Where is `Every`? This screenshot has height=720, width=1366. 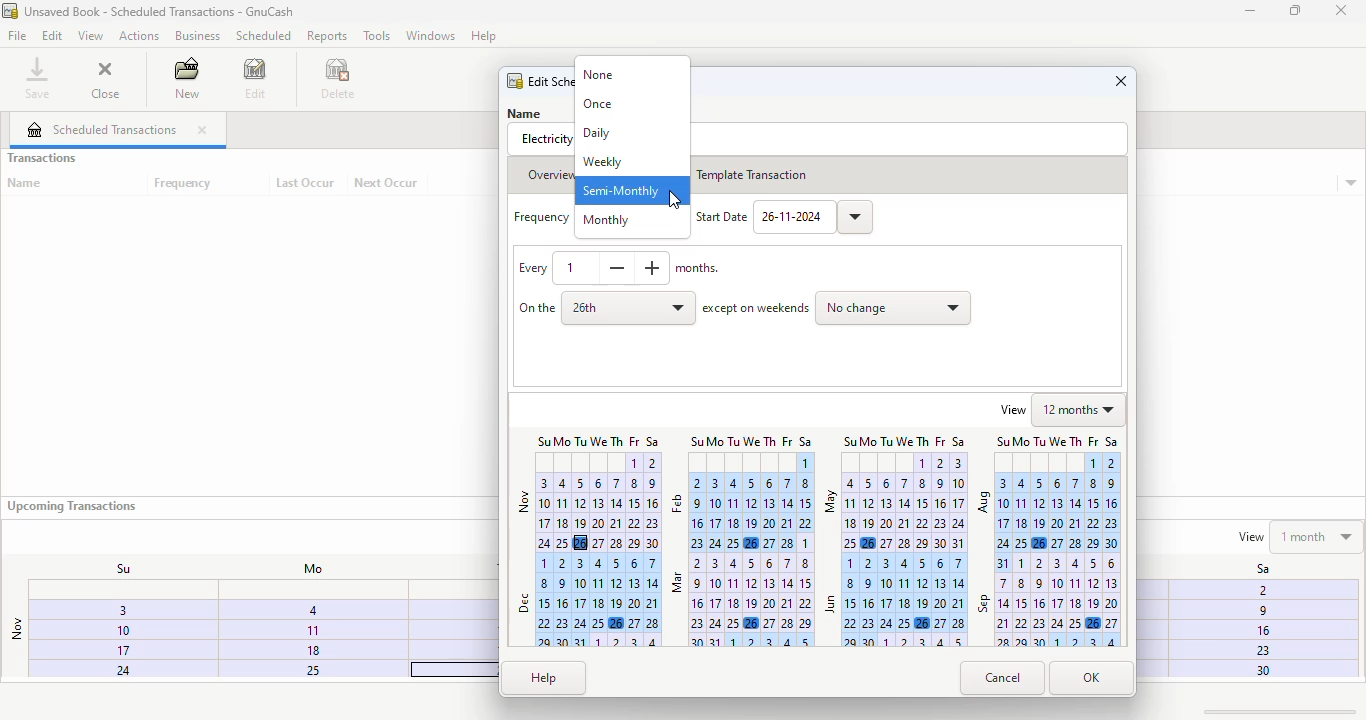 Every is located at coordinates (525, 268).